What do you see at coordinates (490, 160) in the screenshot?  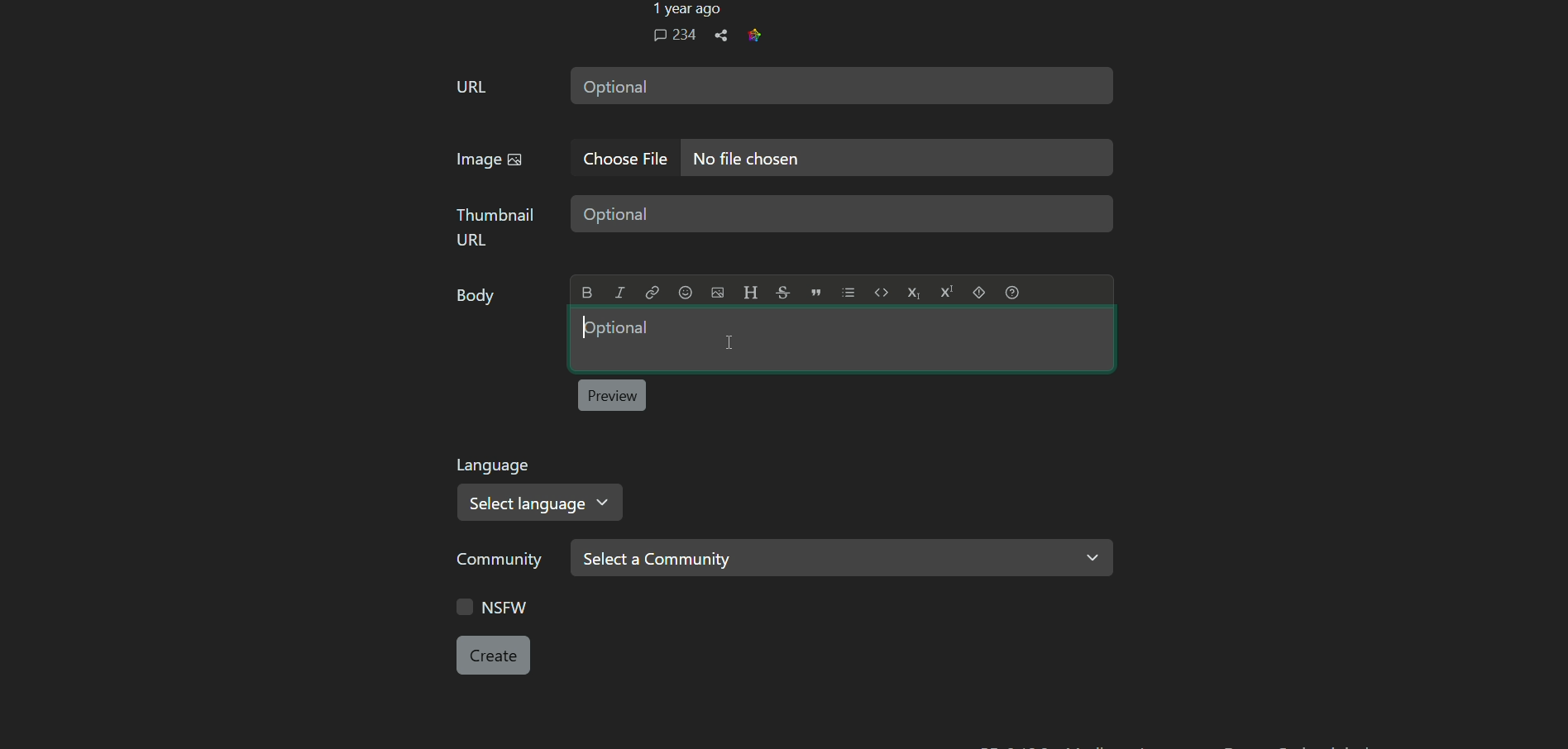 I see `image` at bounding box center [490, 160].